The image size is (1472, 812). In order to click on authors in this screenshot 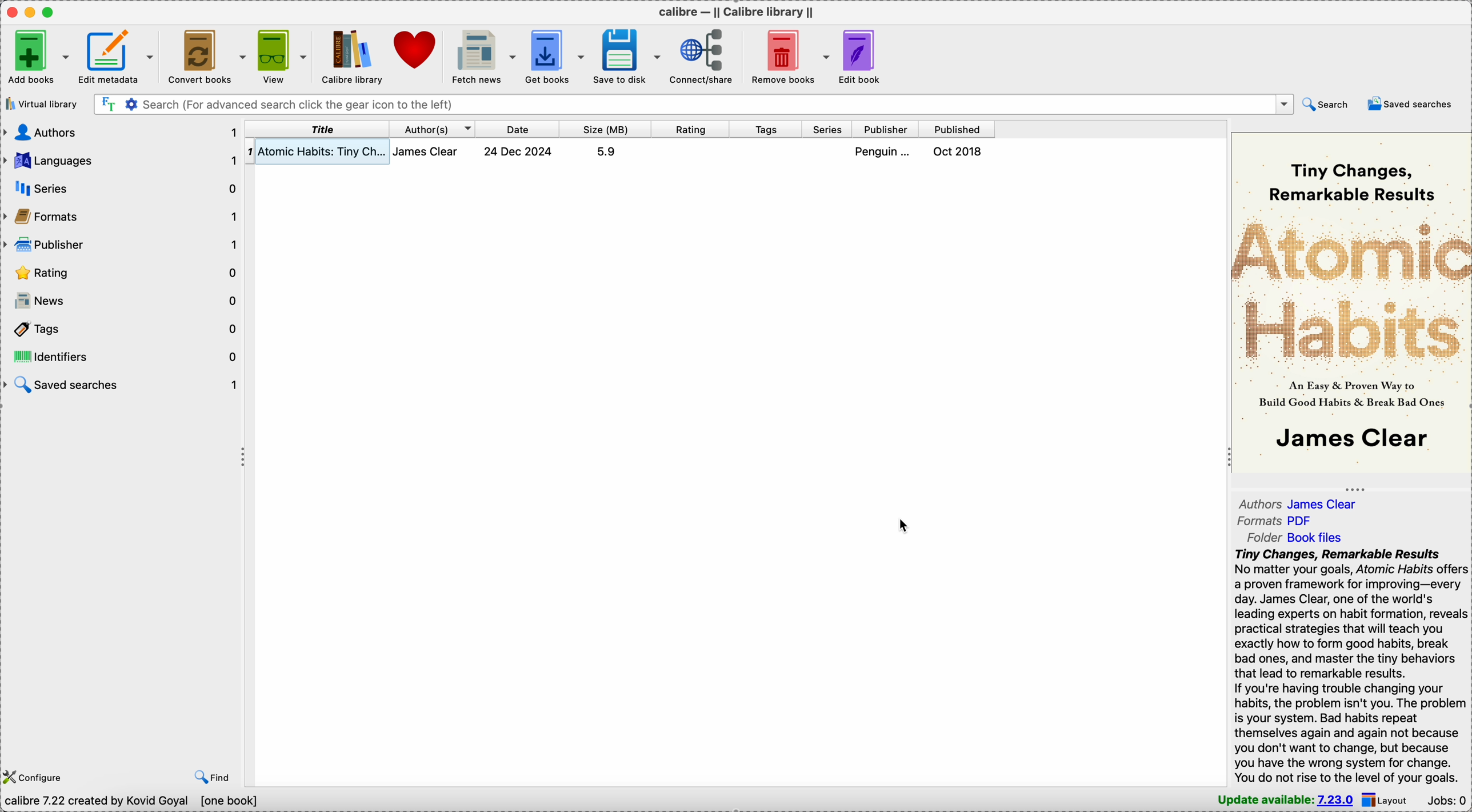, I will do `click(433, 129)`.